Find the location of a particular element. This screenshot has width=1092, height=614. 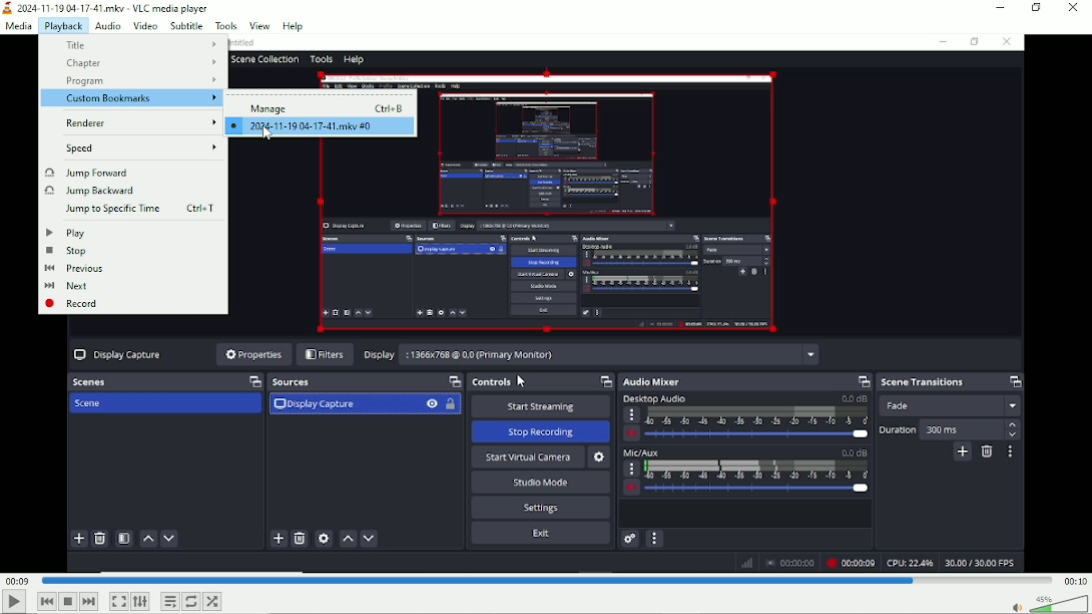

Next is located at coordinates (67, 286).